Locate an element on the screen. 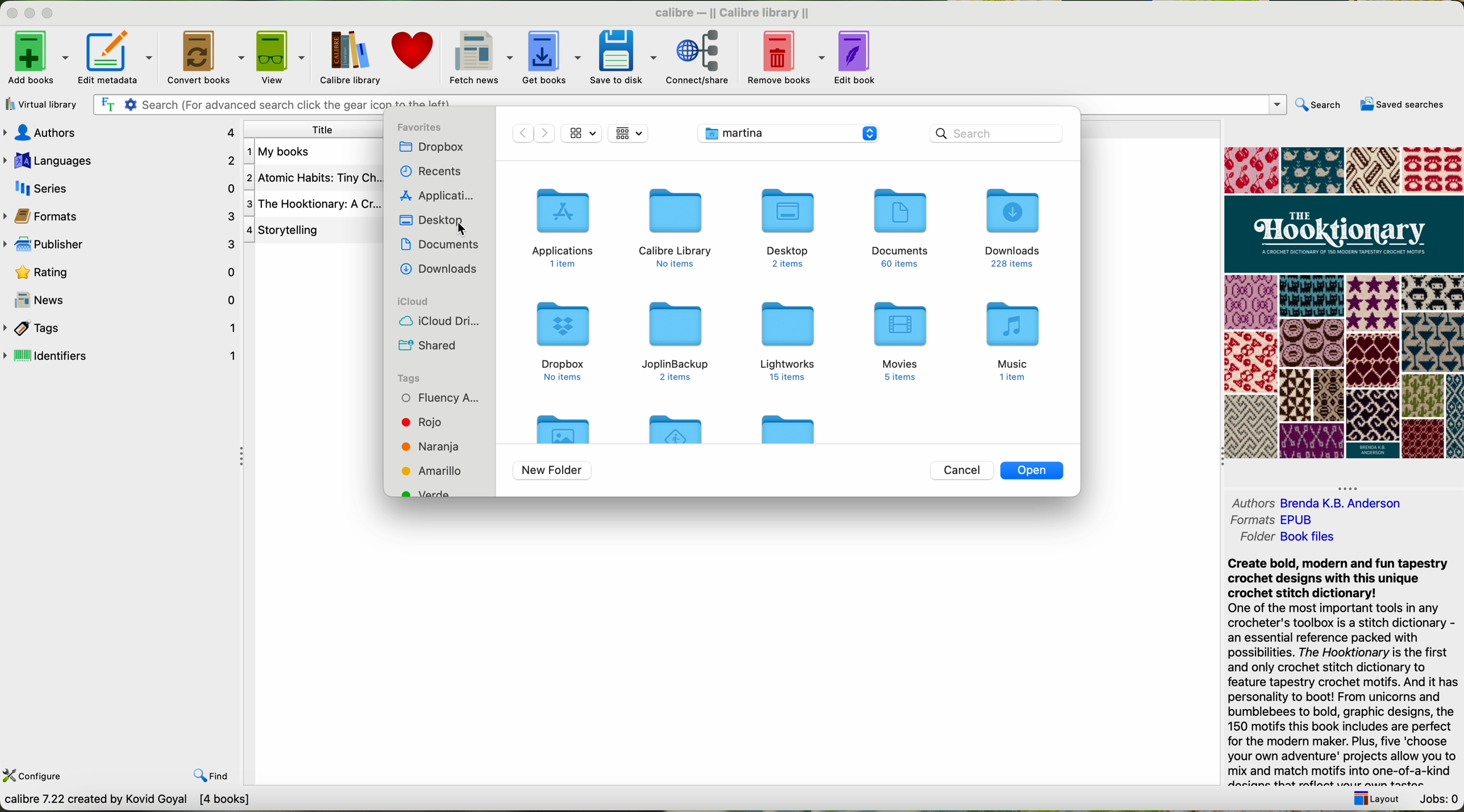  dropbox is located at coordinates (435, 147).